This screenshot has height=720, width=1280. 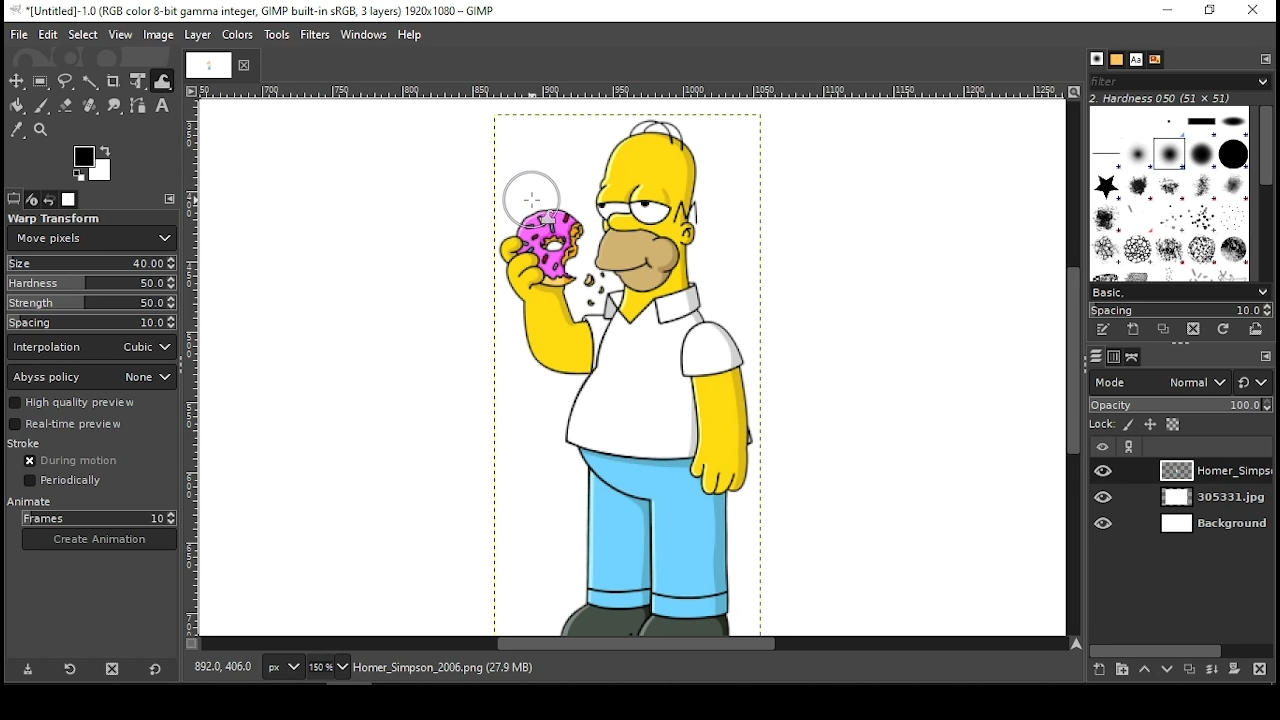 I want to click on move layer one step down, so click(x=1167, y=672).